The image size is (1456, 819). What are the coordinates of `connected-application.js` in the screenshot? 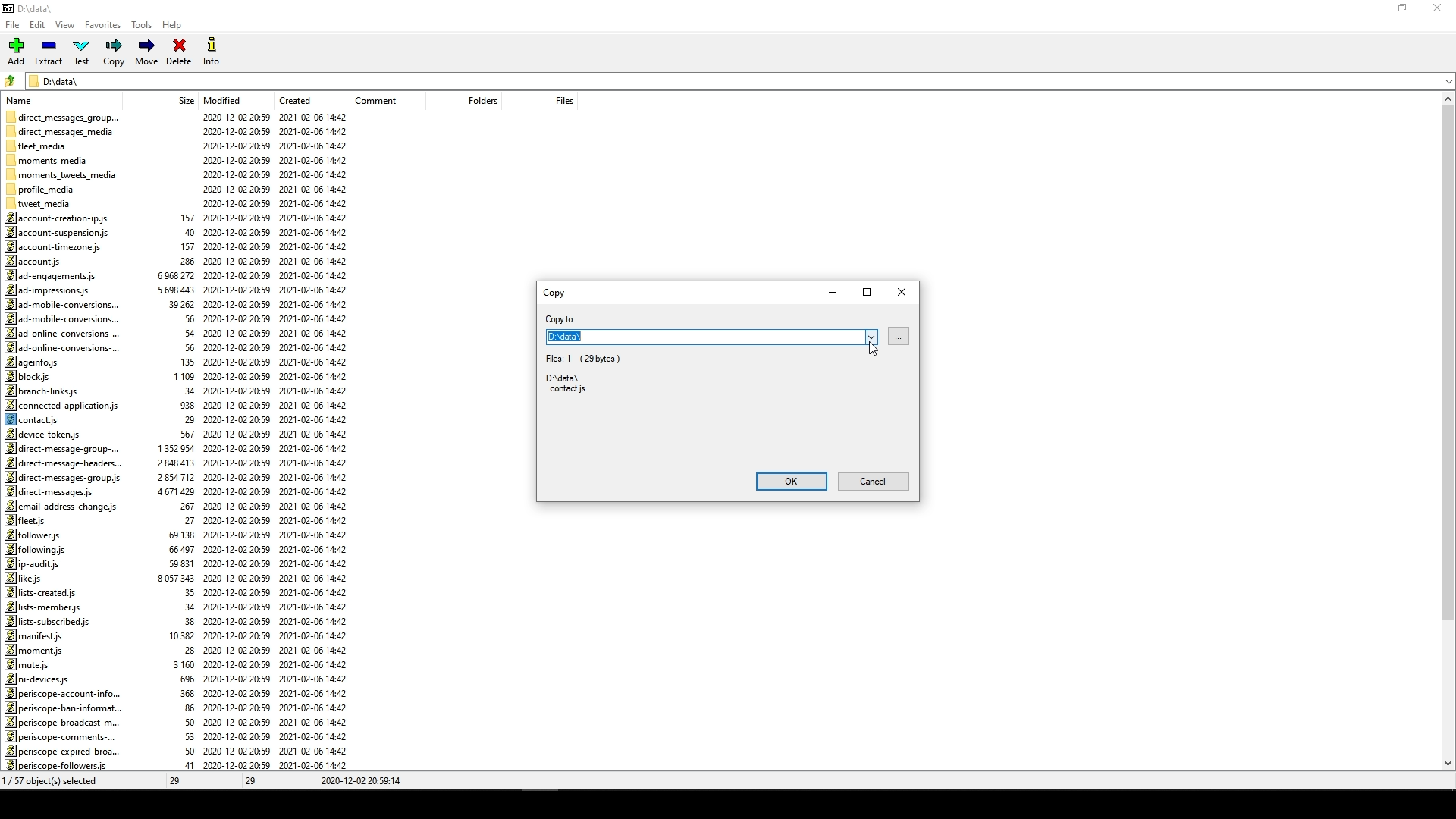 It's located at (61, 406).